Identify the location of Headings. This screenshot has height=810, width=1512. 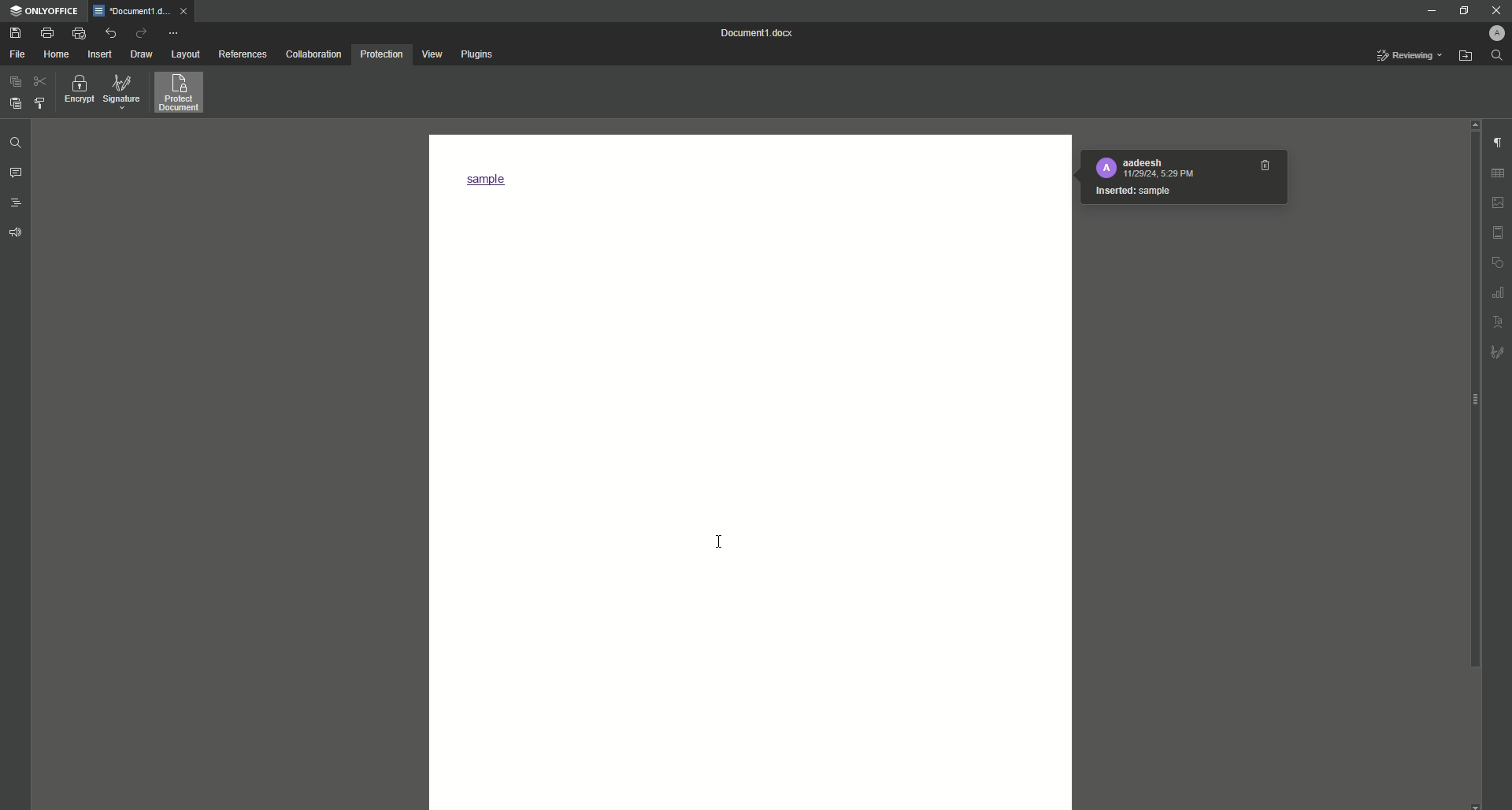
(17, 201).